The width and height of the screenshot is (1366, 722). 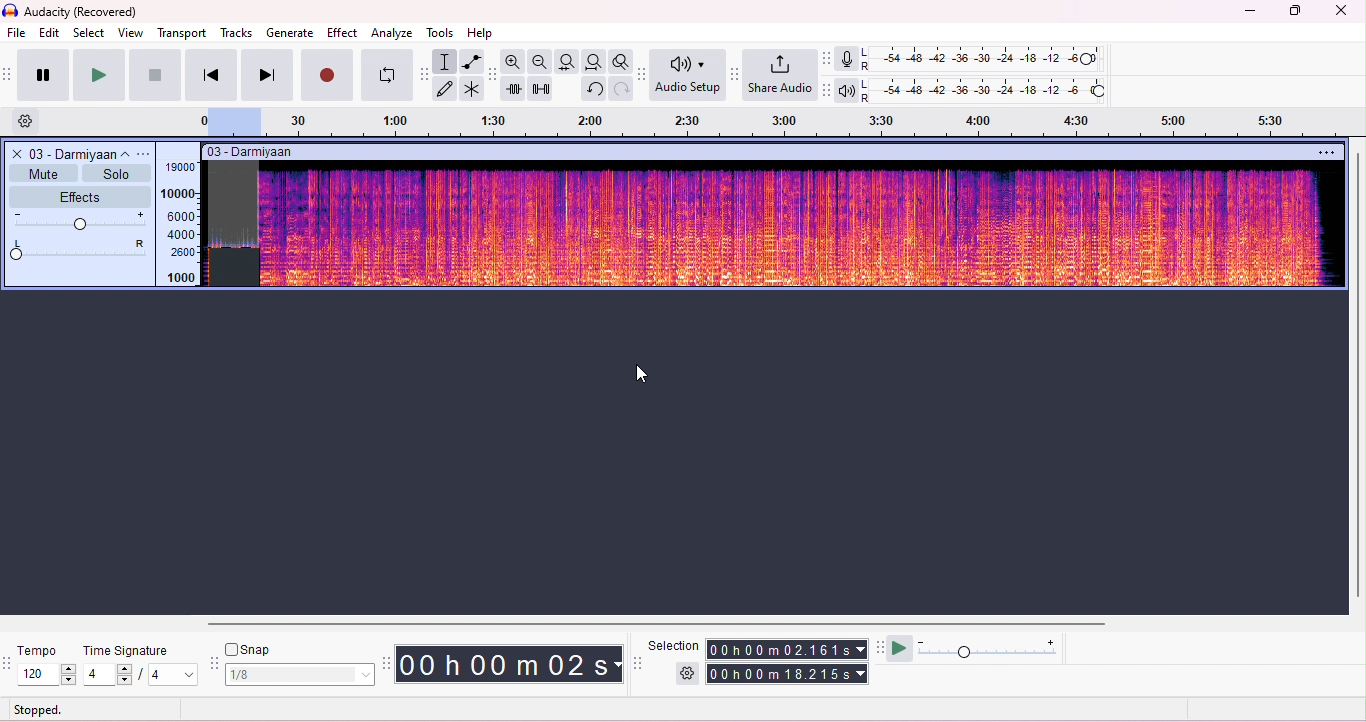 What do you see at coordinates (79, 251) in the screenshot?
I see `pan` at bounding box center [79, 251].